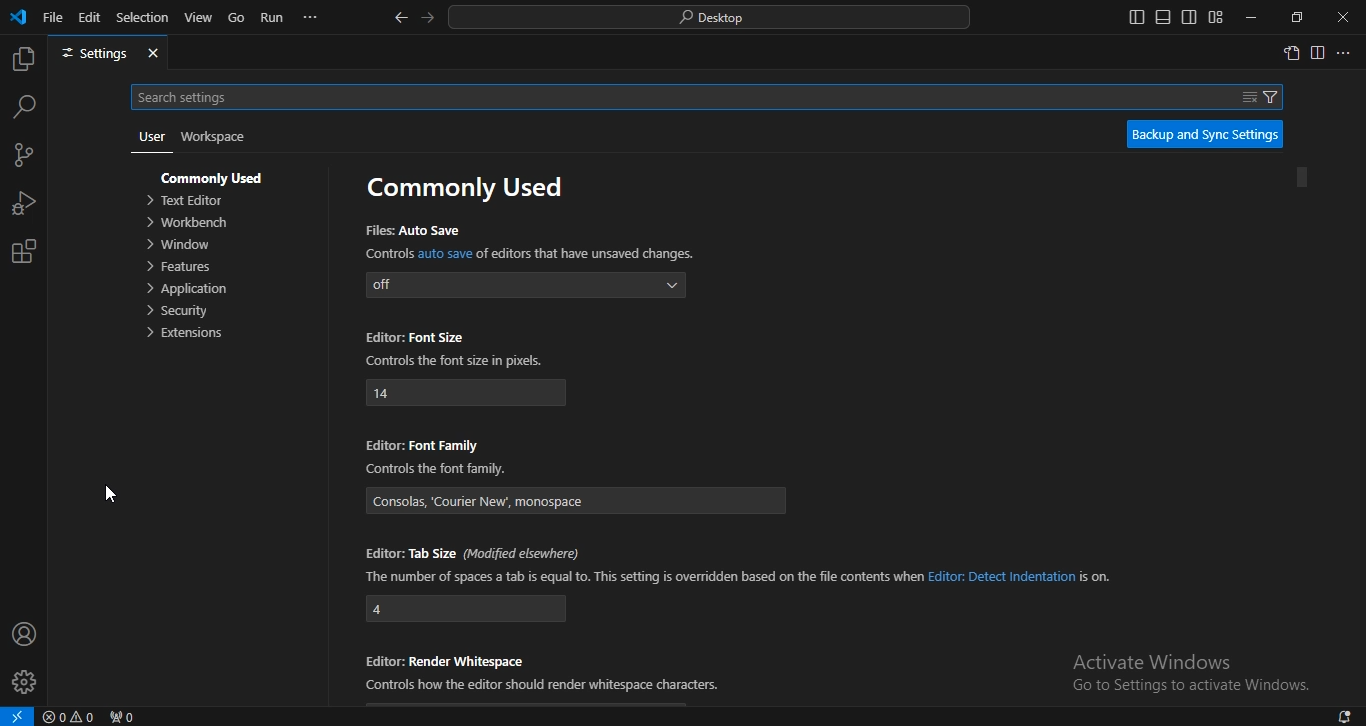  Describe the element at coordinates (1216, 16) in the screenshot. I see `customize layout` at that location.